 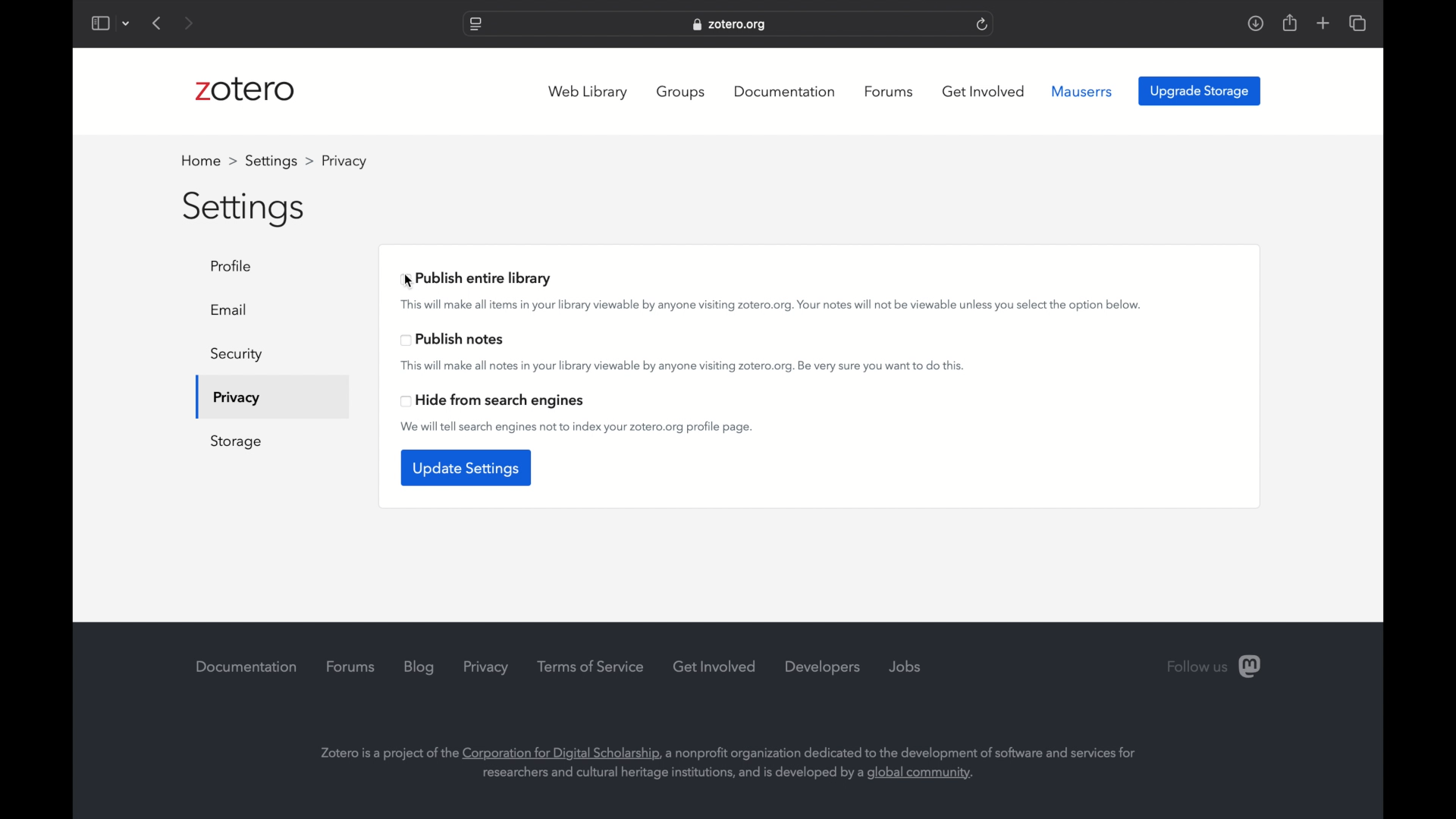 What do you see at coordinates (235, 400) in the screenshot?
I see `privacy` at bounding box center [235, 400].